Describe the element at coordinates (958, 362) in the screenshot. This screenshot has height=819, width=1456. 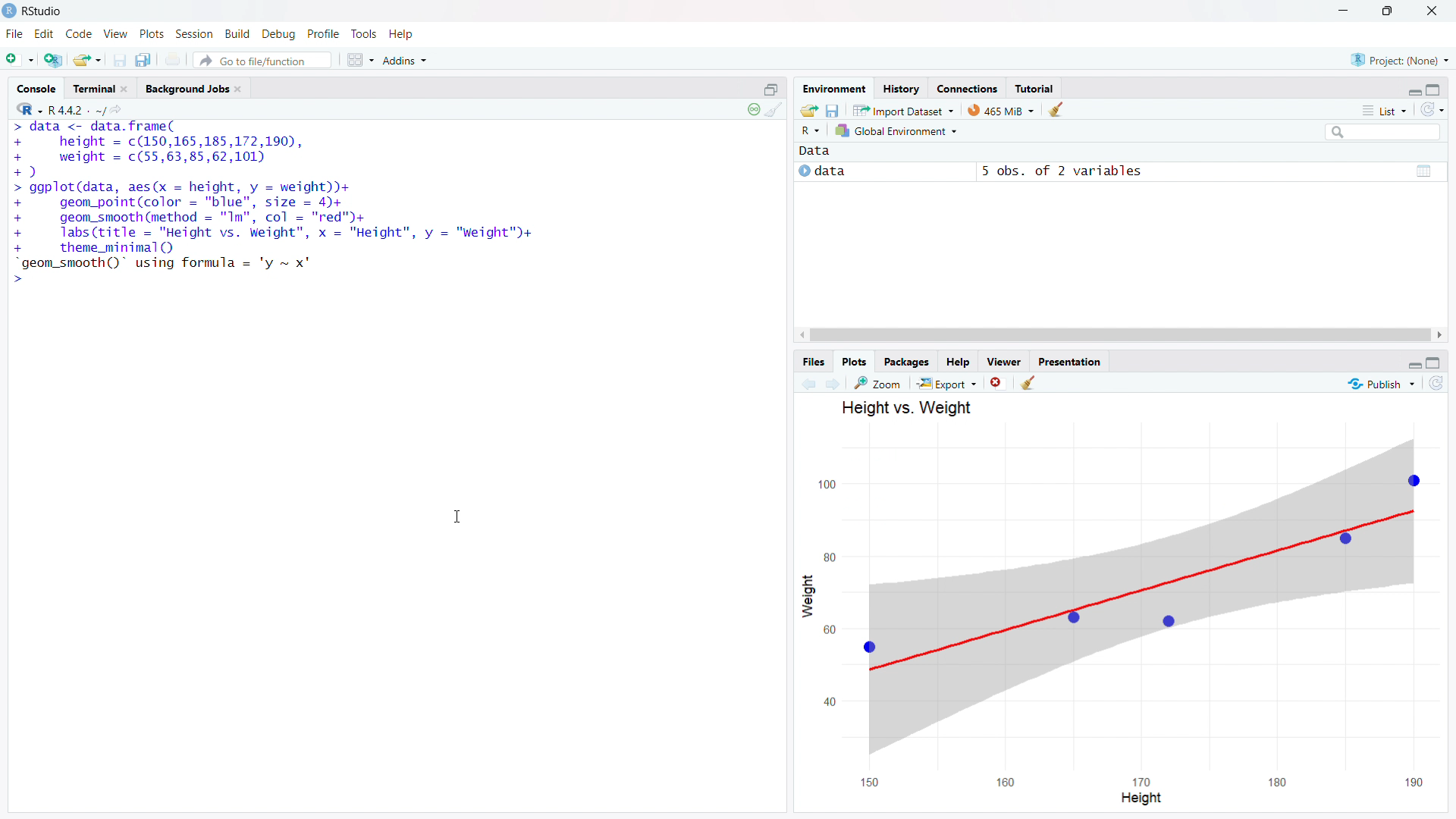
I see `help` at that location.